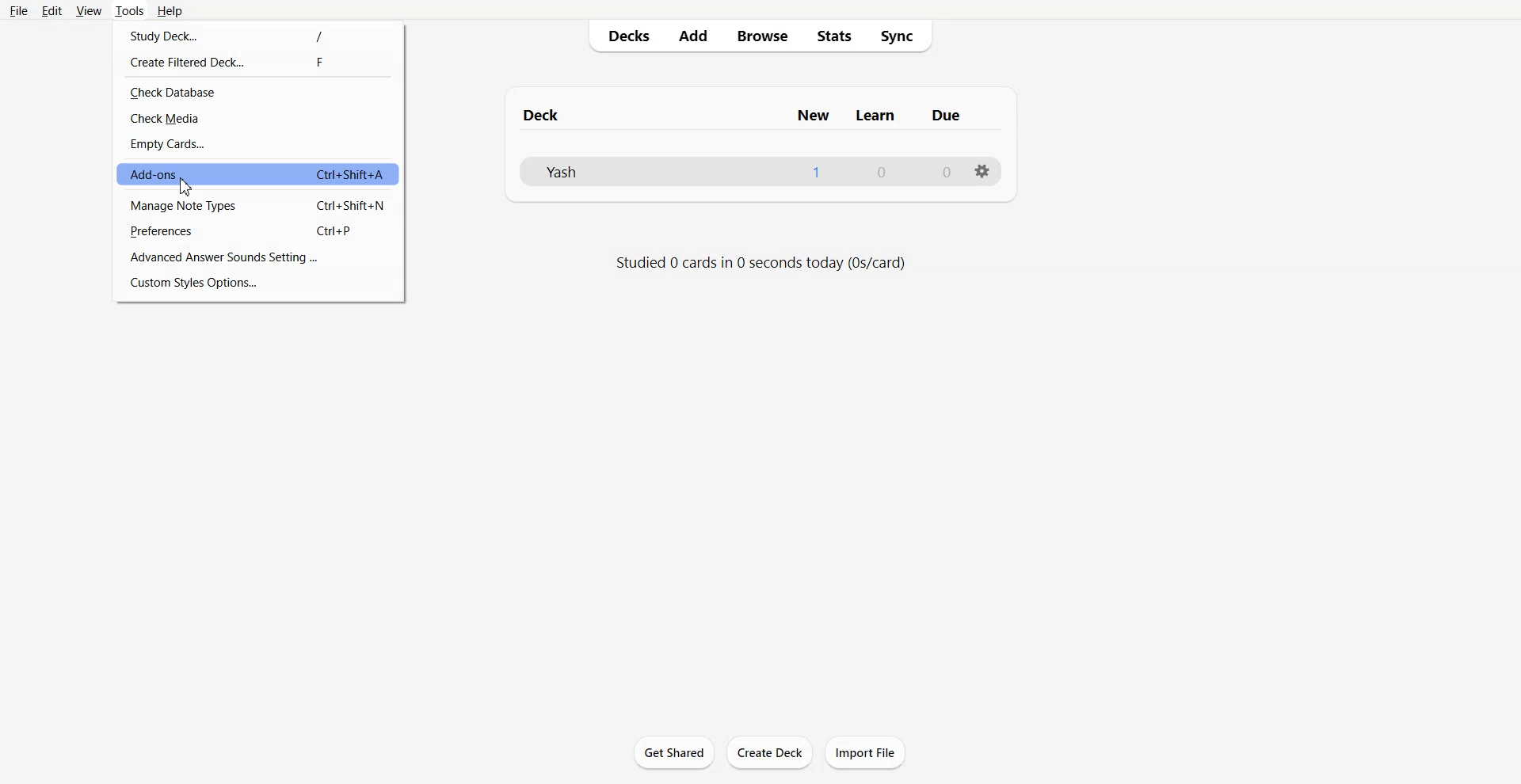 The height and width of the screenshot is (784, 1521). What do you see at coordinates (761, 263) in the screenshot?
I see `studied 0 cards in 0 seconds today (0s/card)` at bounding box center [761, 263].